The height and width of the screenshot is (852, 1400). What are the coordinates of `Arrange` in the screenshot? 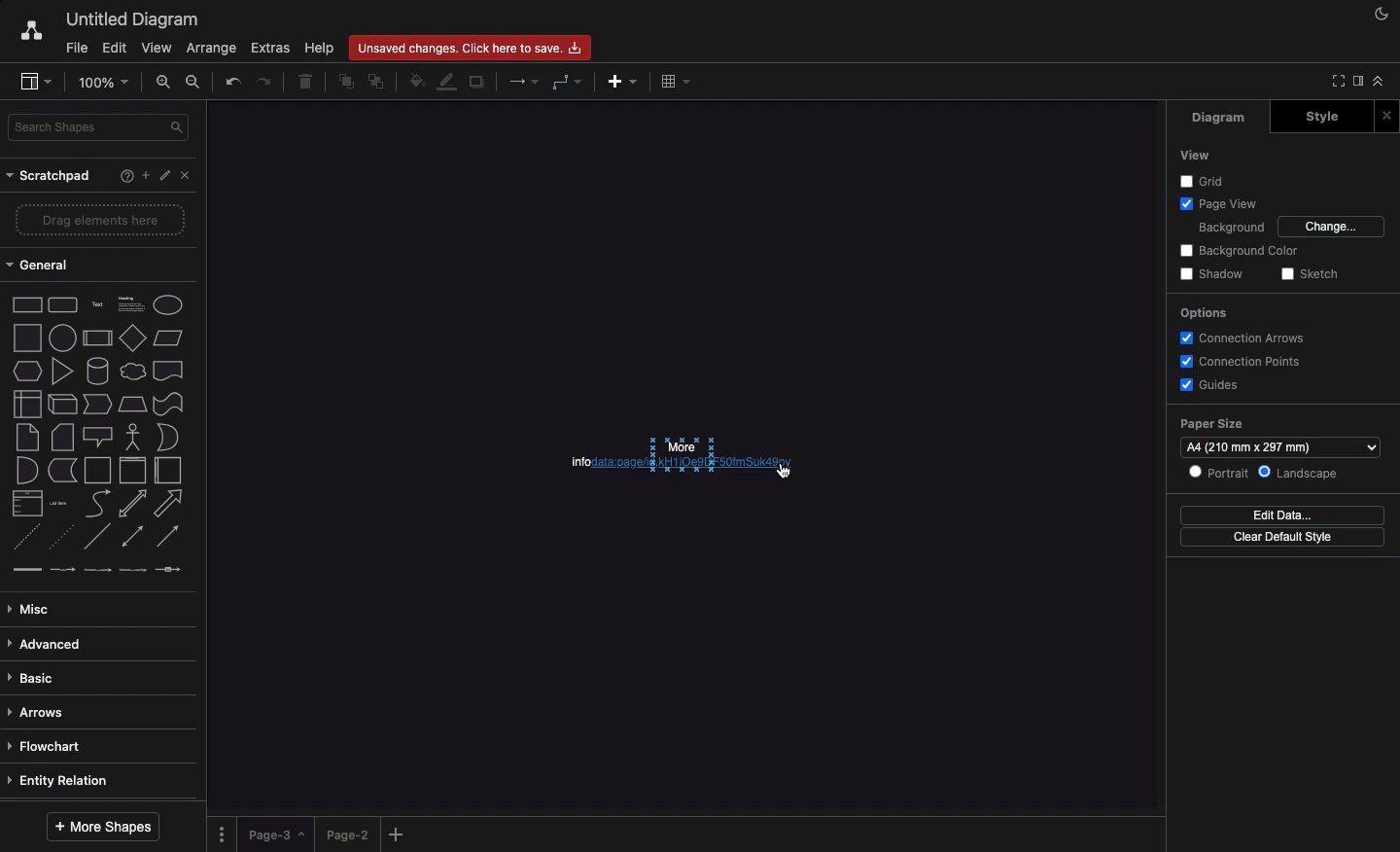 It's located at (208, 49).